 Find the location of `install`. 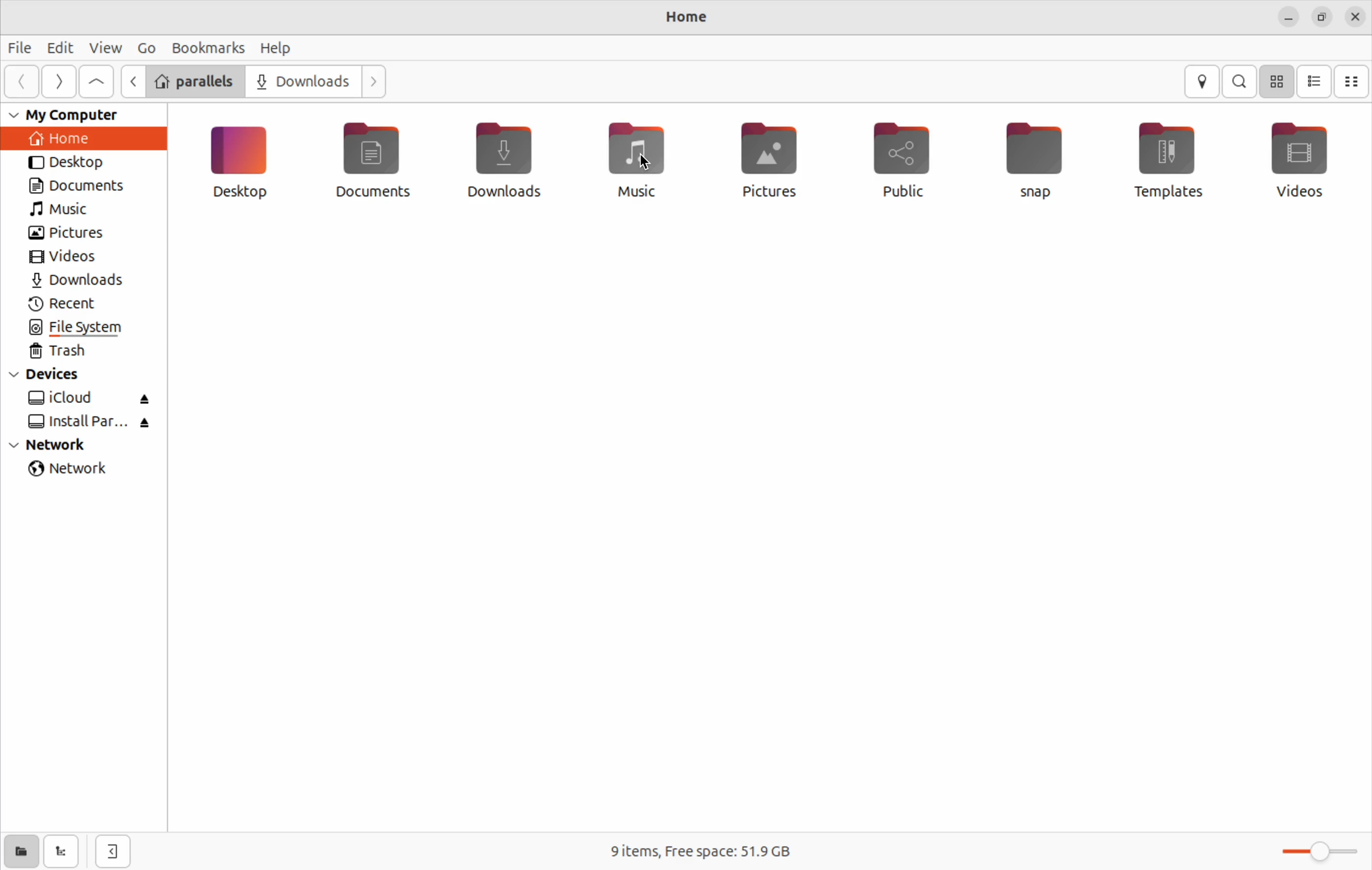

install is located at coordinates (87, 423).